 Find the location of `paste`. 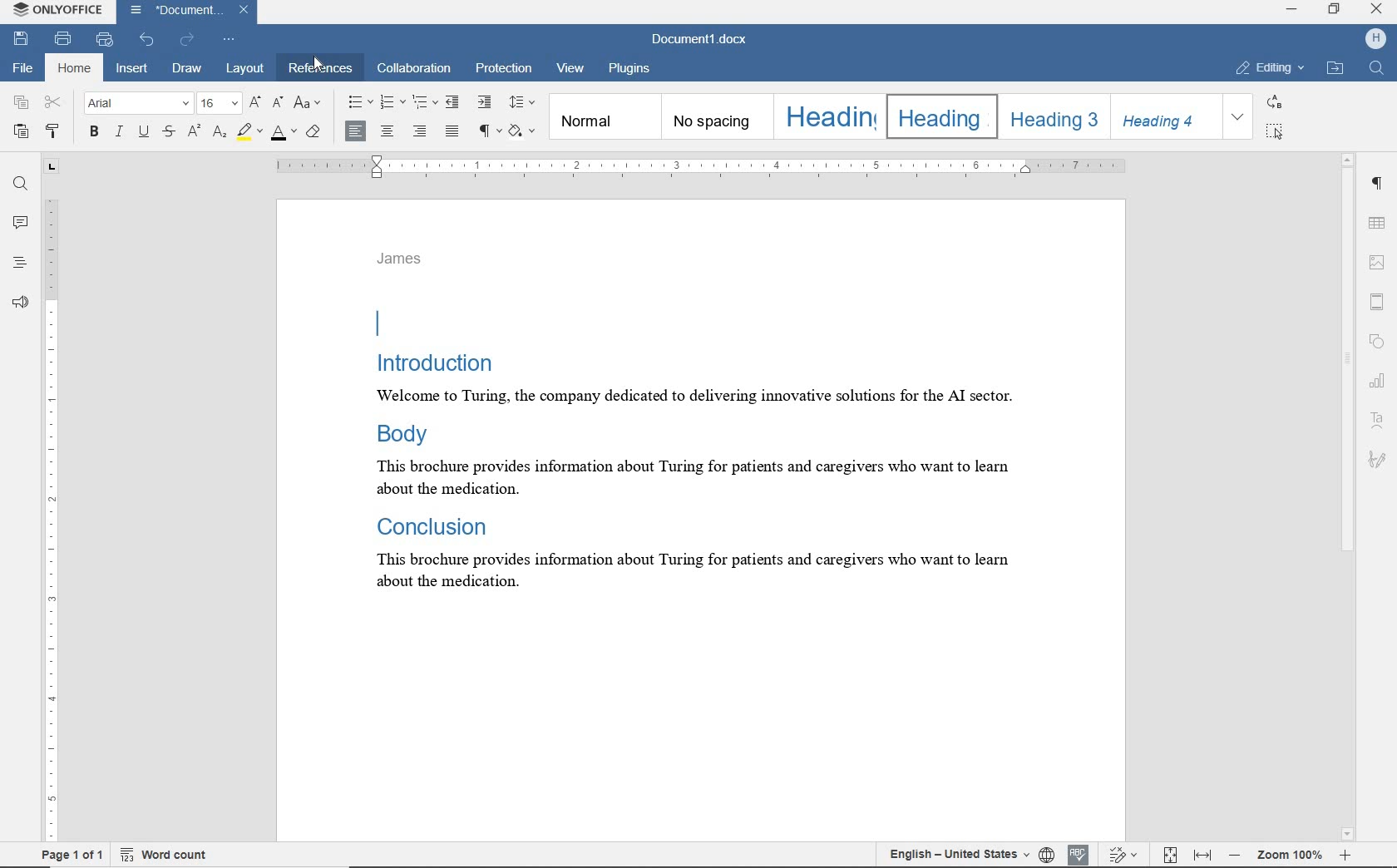

paste is located at coordinates (21, 132).